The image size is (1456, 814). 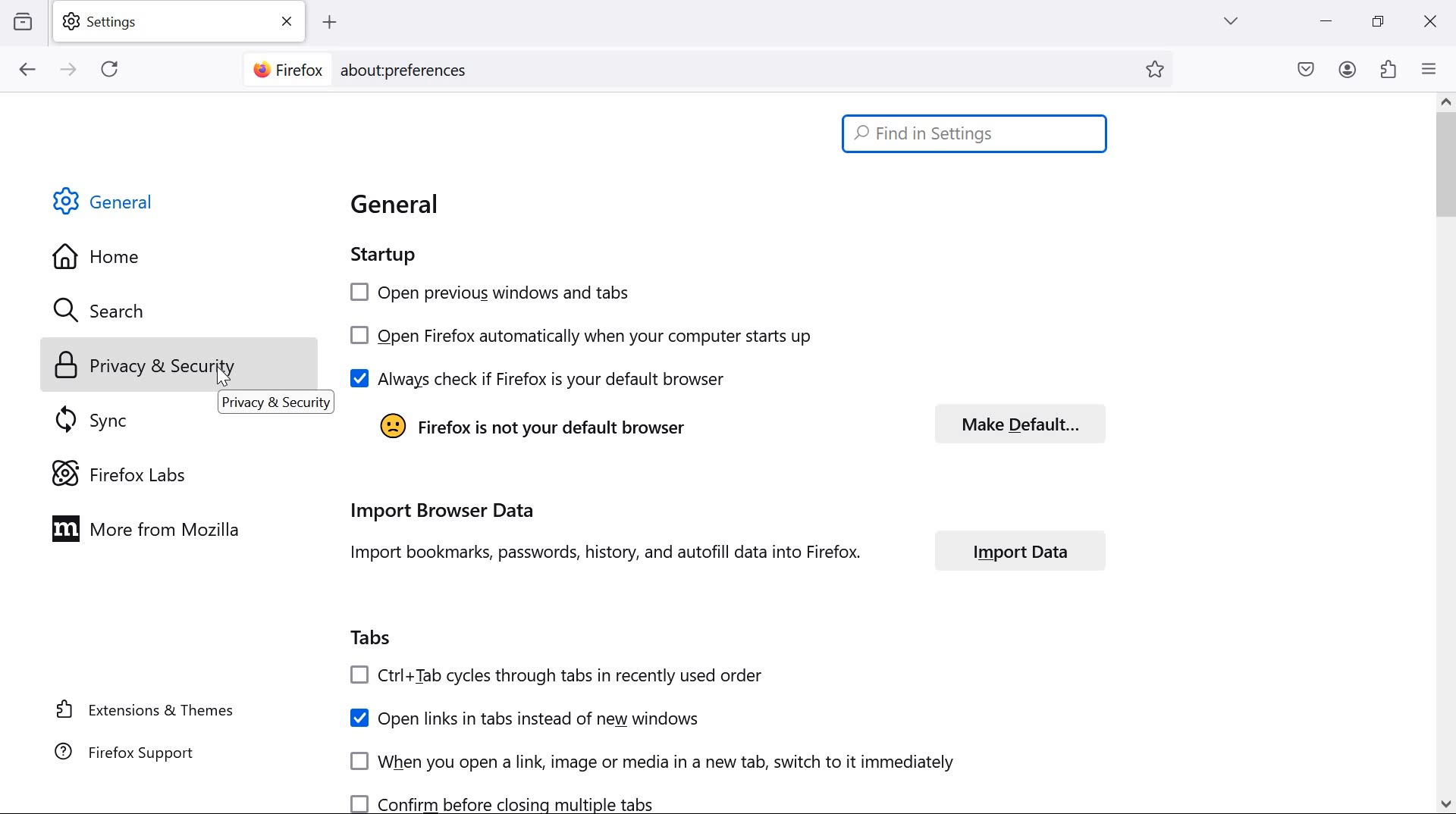 I want to click on General , so click(x=403, y=207).